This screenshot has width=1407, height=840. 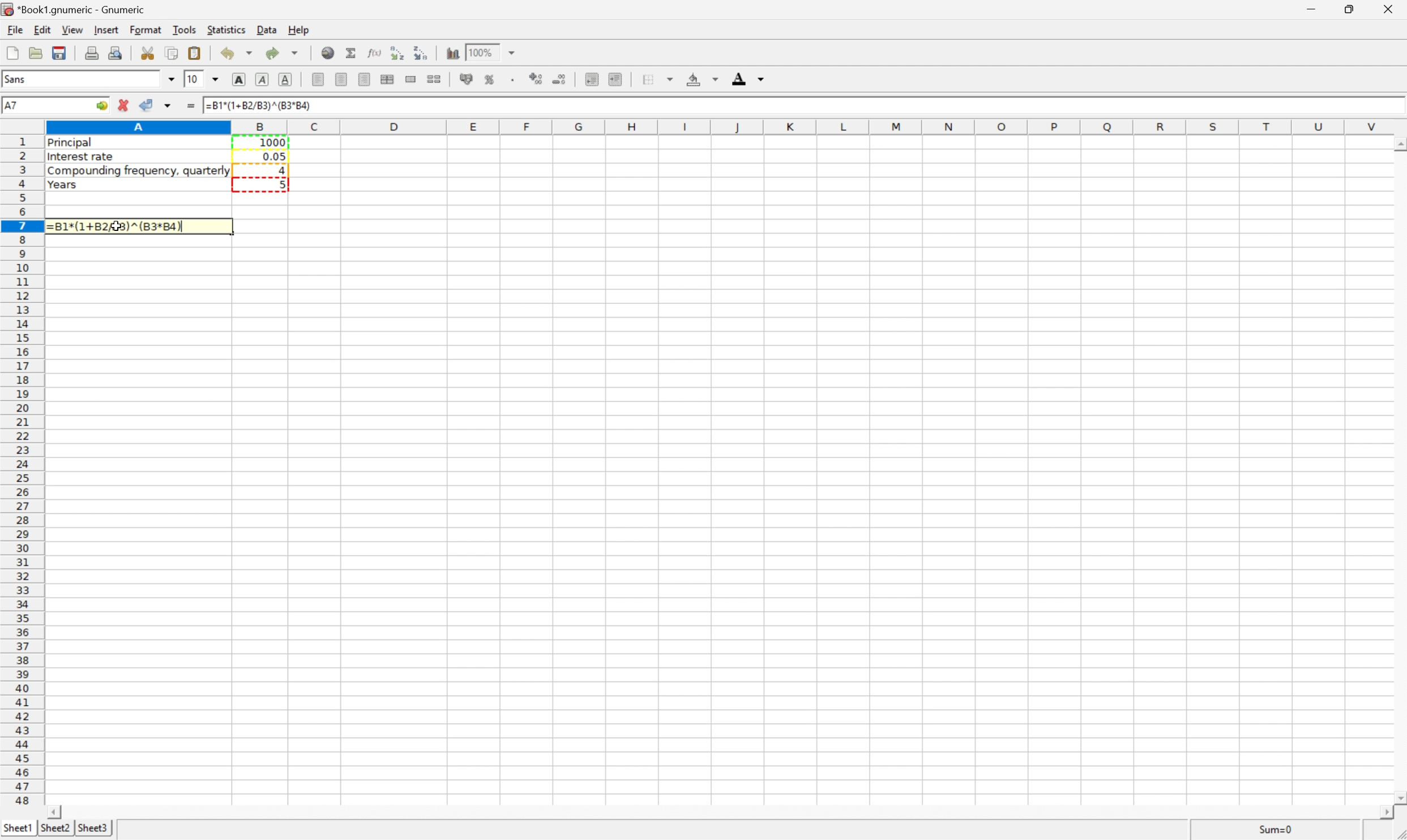 I want to click on drop down, so click(x=216, y=80).